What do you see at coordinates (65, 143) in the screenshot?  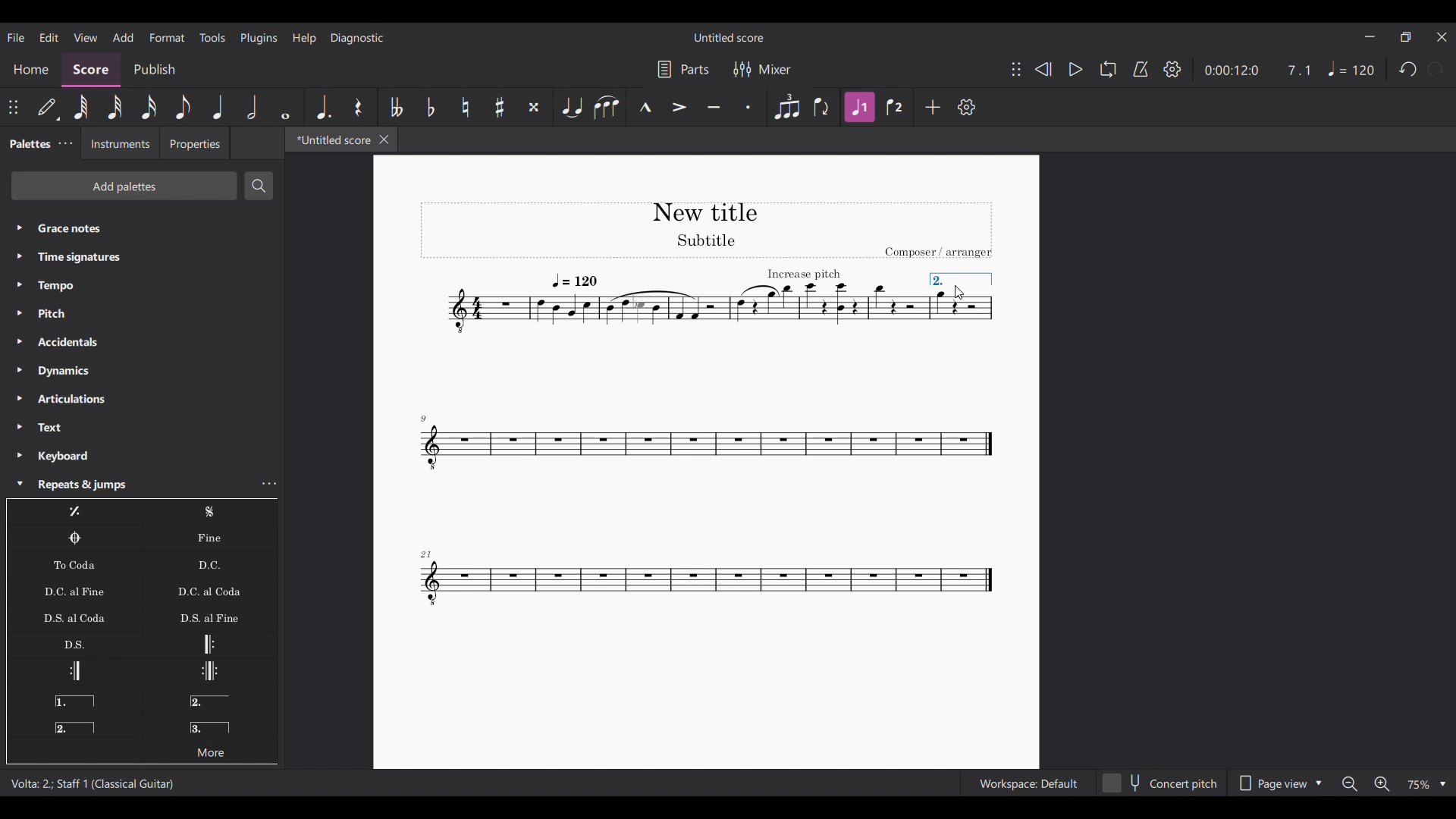 I see `Palette settings` at bounding box center [65, 143].